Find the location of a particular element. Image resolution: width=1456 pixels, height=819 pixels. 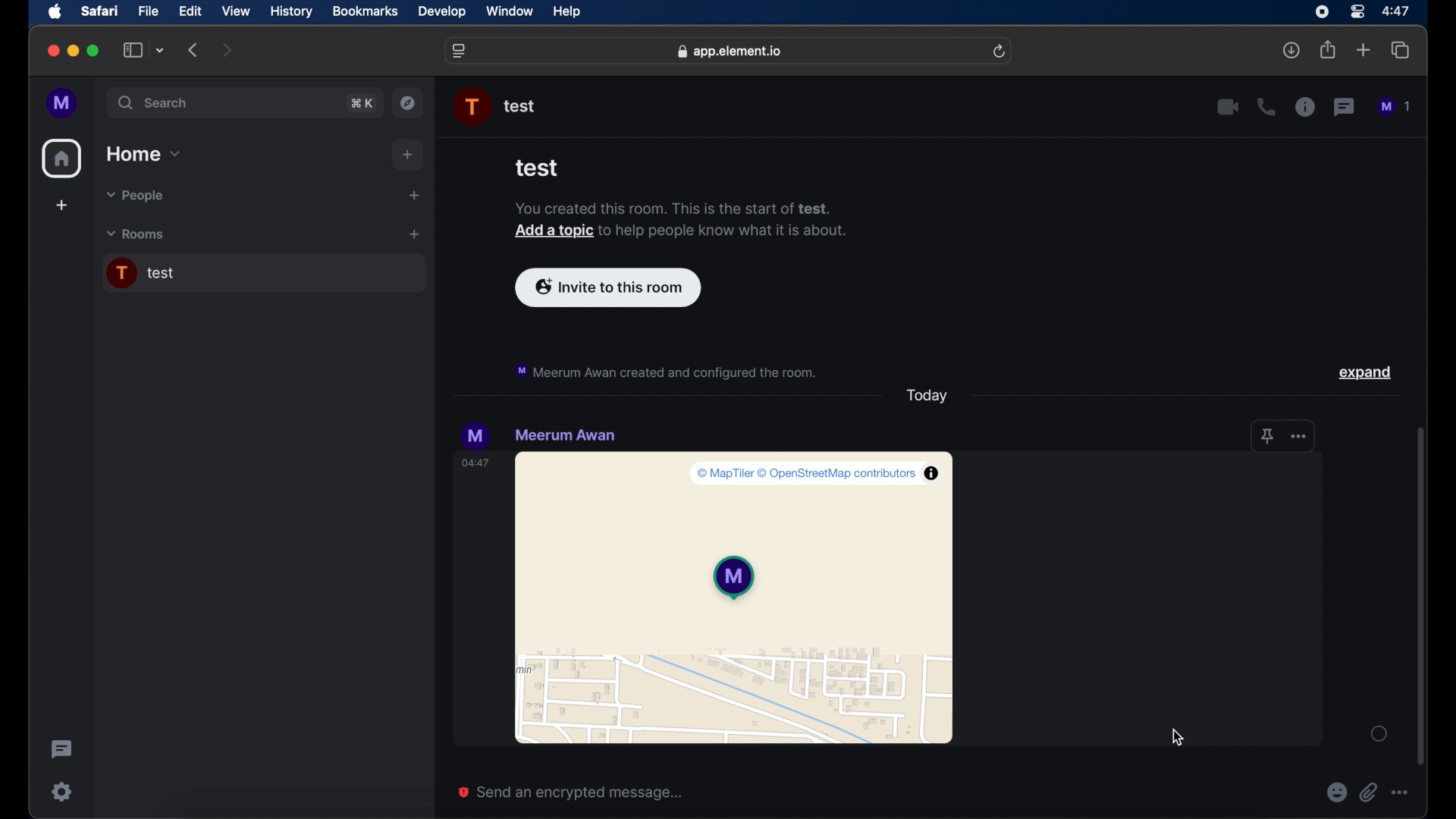

location options is located at coordinates (1284, 438).